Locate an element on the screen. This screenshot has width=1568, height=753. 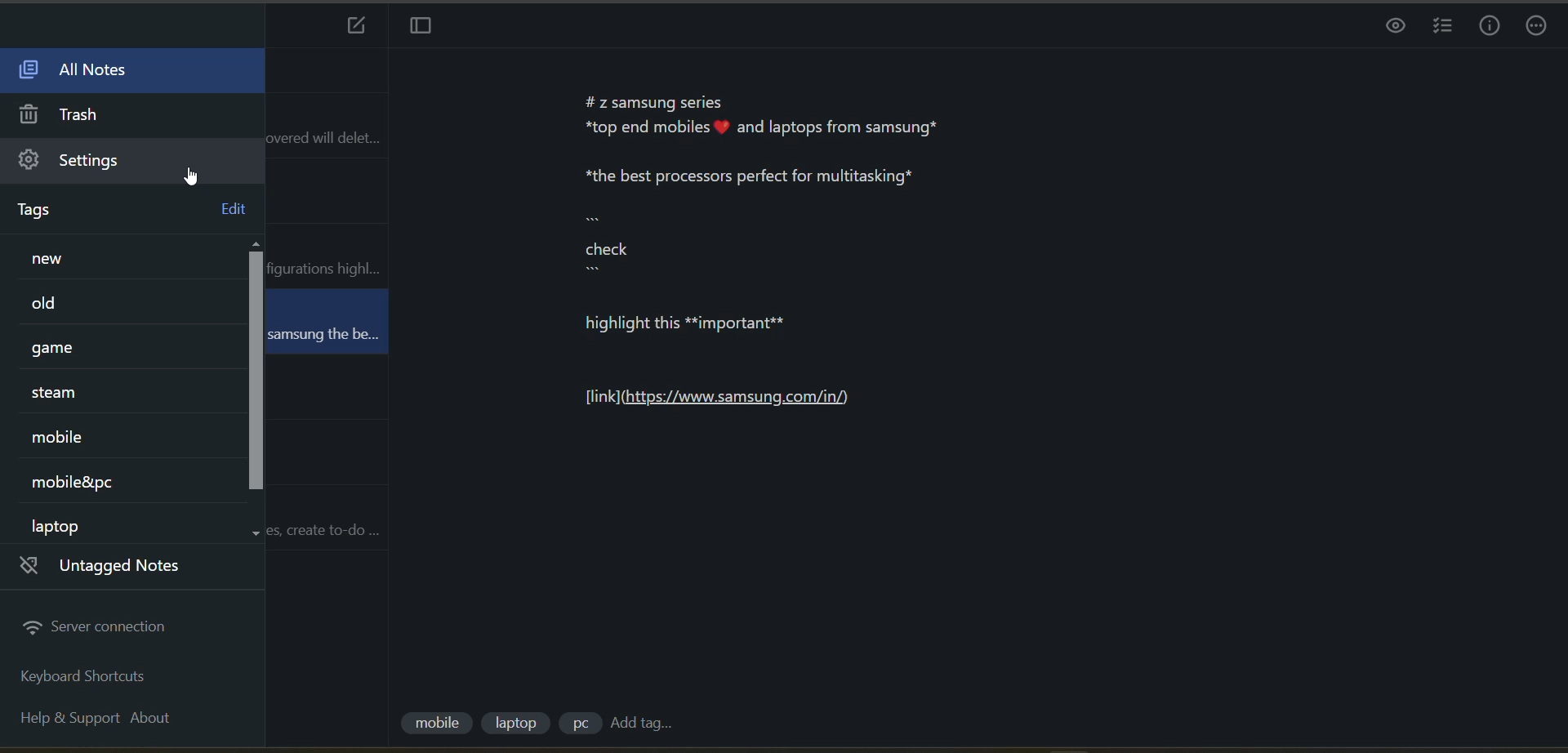
tag 7 is located at coordinates (72, 524).